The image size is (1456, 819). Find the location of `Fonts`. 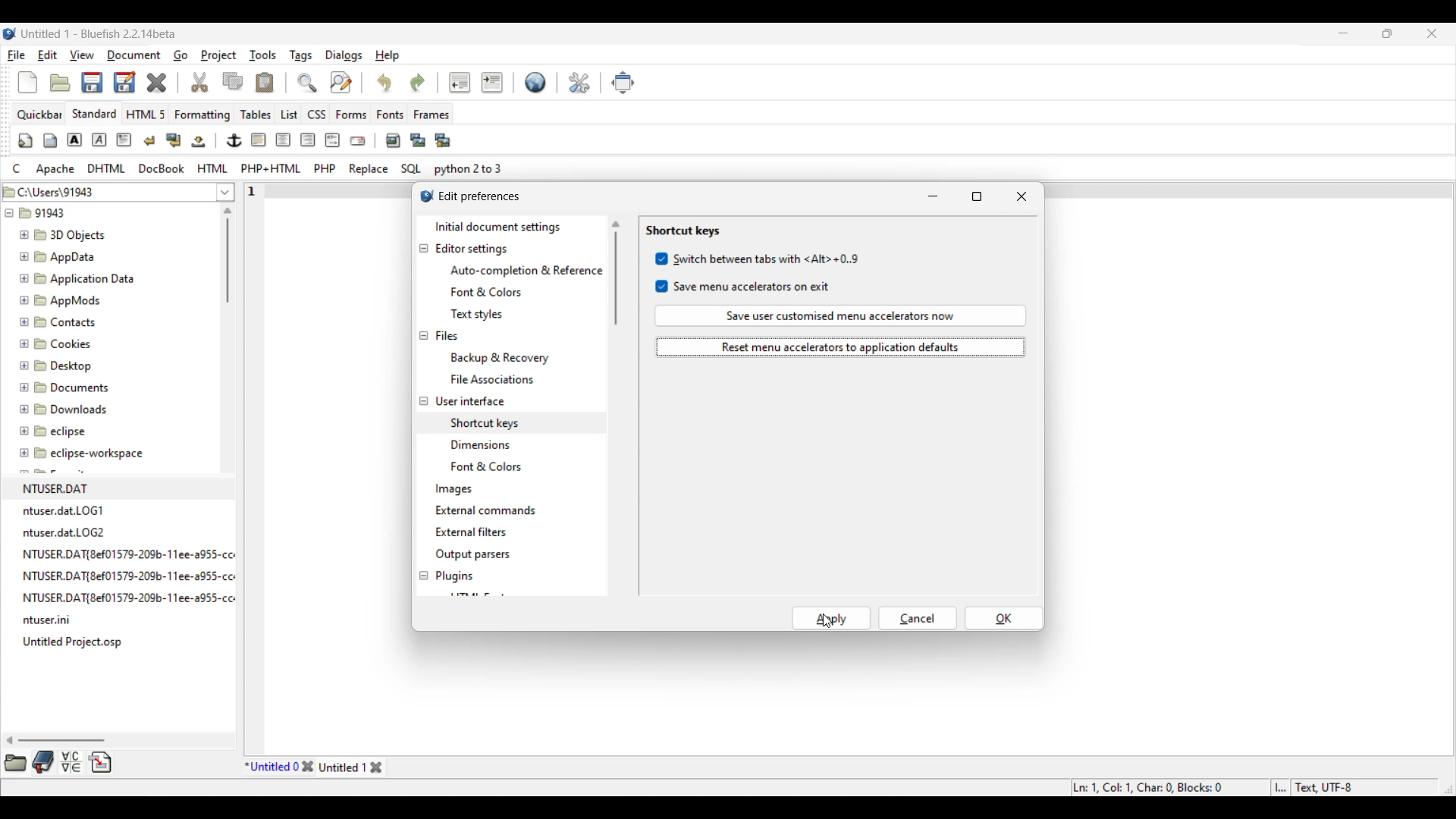

Fonts is located at coordinates (391, 114).